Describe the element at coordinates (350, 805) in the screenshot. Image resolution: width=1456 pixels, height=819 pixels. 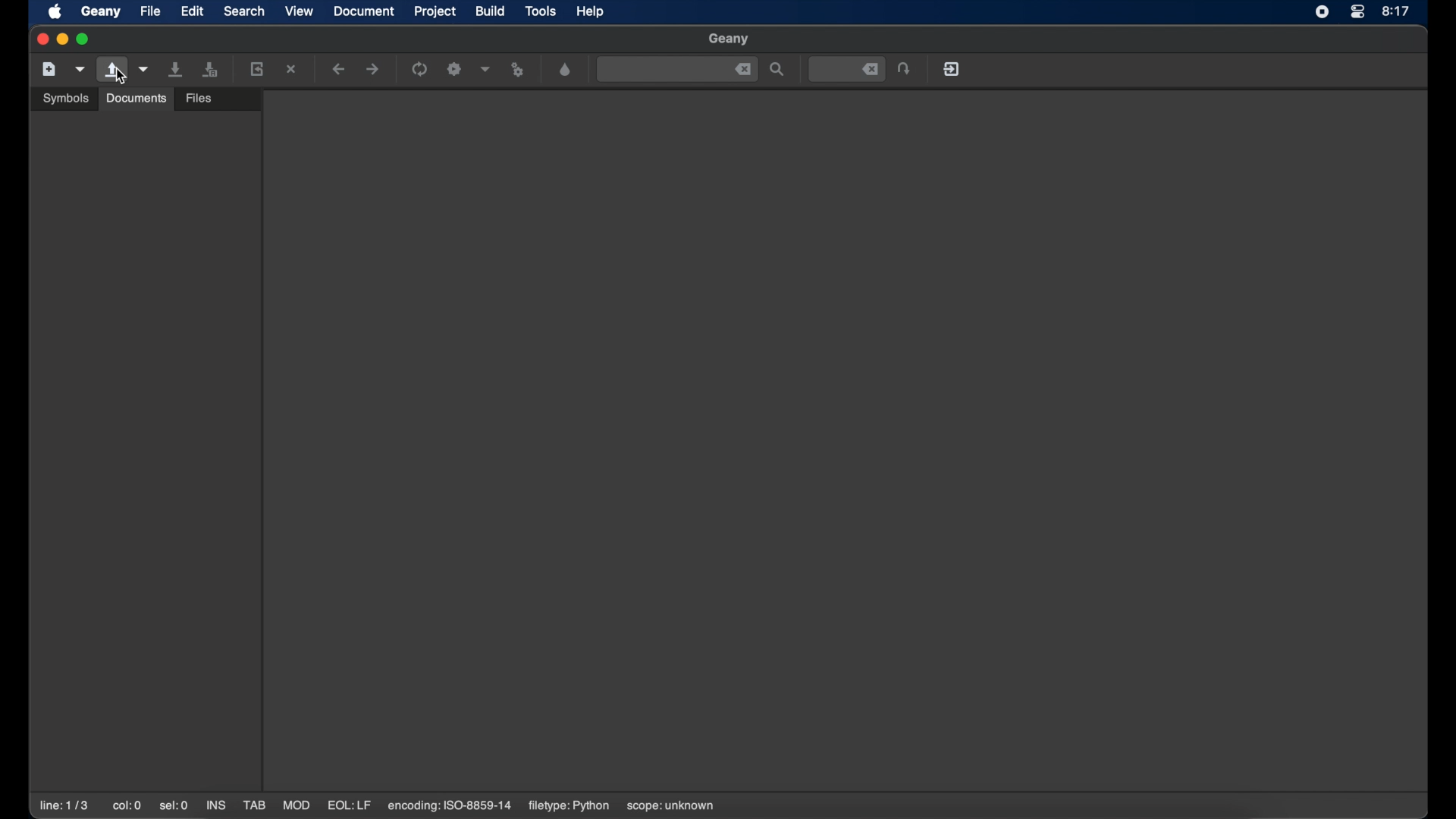
I see `eql: lf` at that location.